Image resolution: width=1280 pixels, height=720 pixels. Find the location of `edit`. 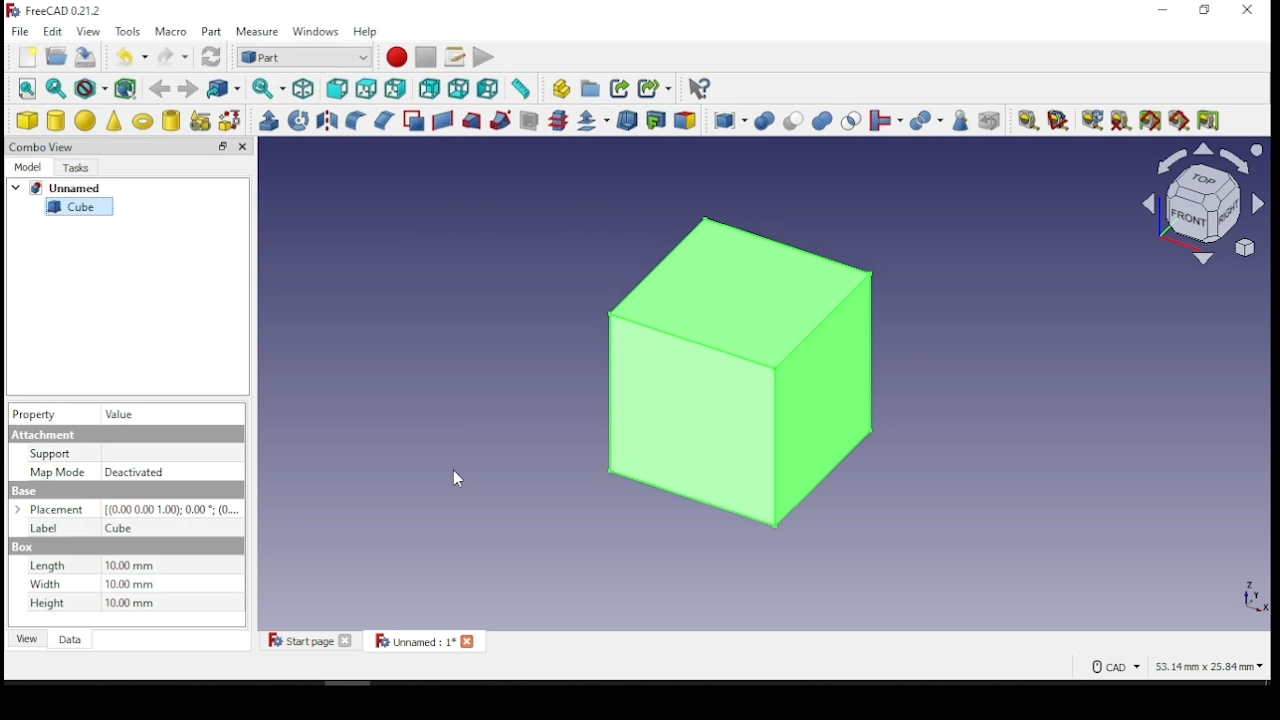

edit is located at coordinates (54, 32).